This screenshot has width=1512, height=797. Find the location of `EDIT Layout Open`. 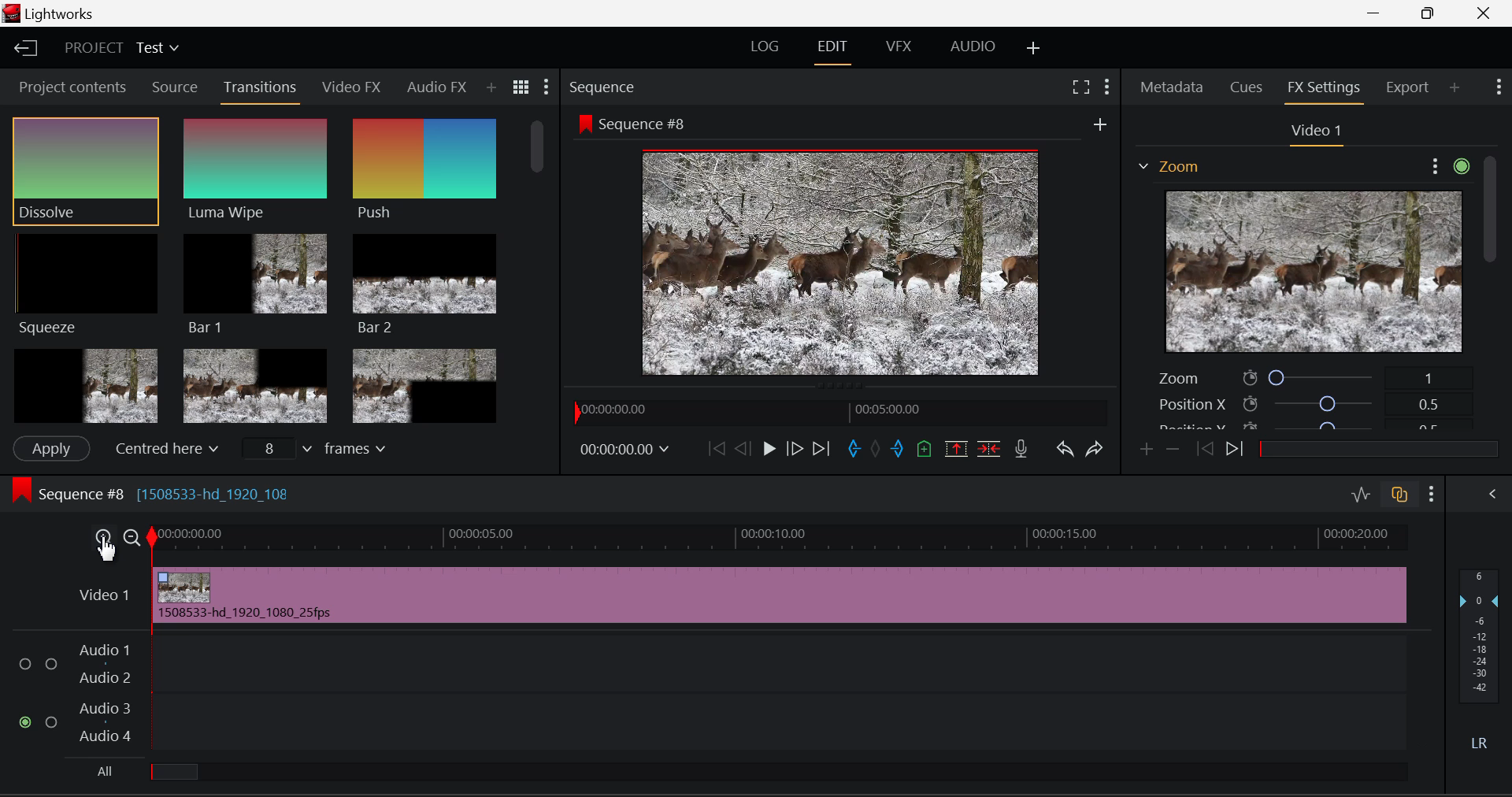

EDIT Layout Open is located at coordinates (832, 50).